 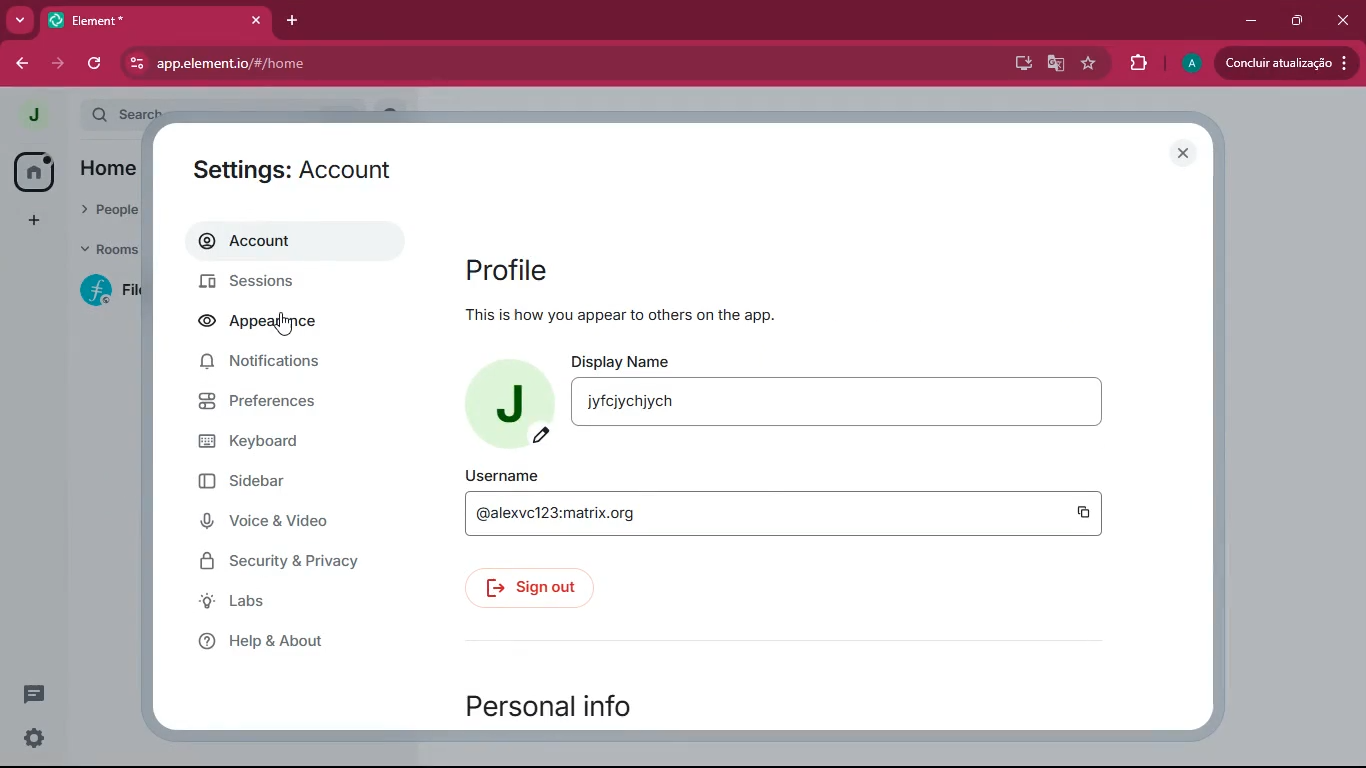 What do you see at coordinates (58, 65) in the screenshot?
I see `forward` at bounding box center [58, 65].